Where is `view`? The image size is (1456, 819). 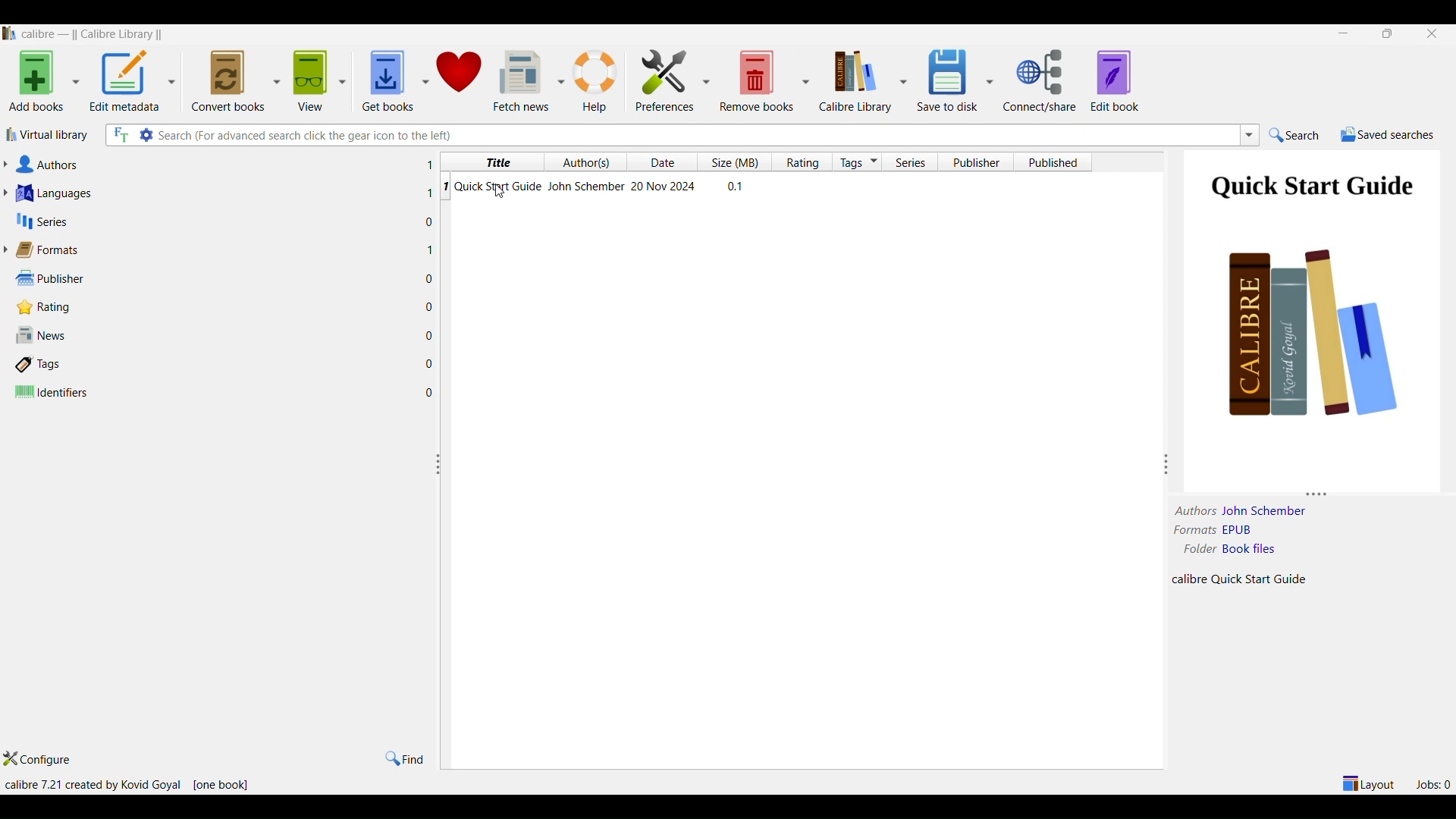 view is located at coordinates (309, 83).